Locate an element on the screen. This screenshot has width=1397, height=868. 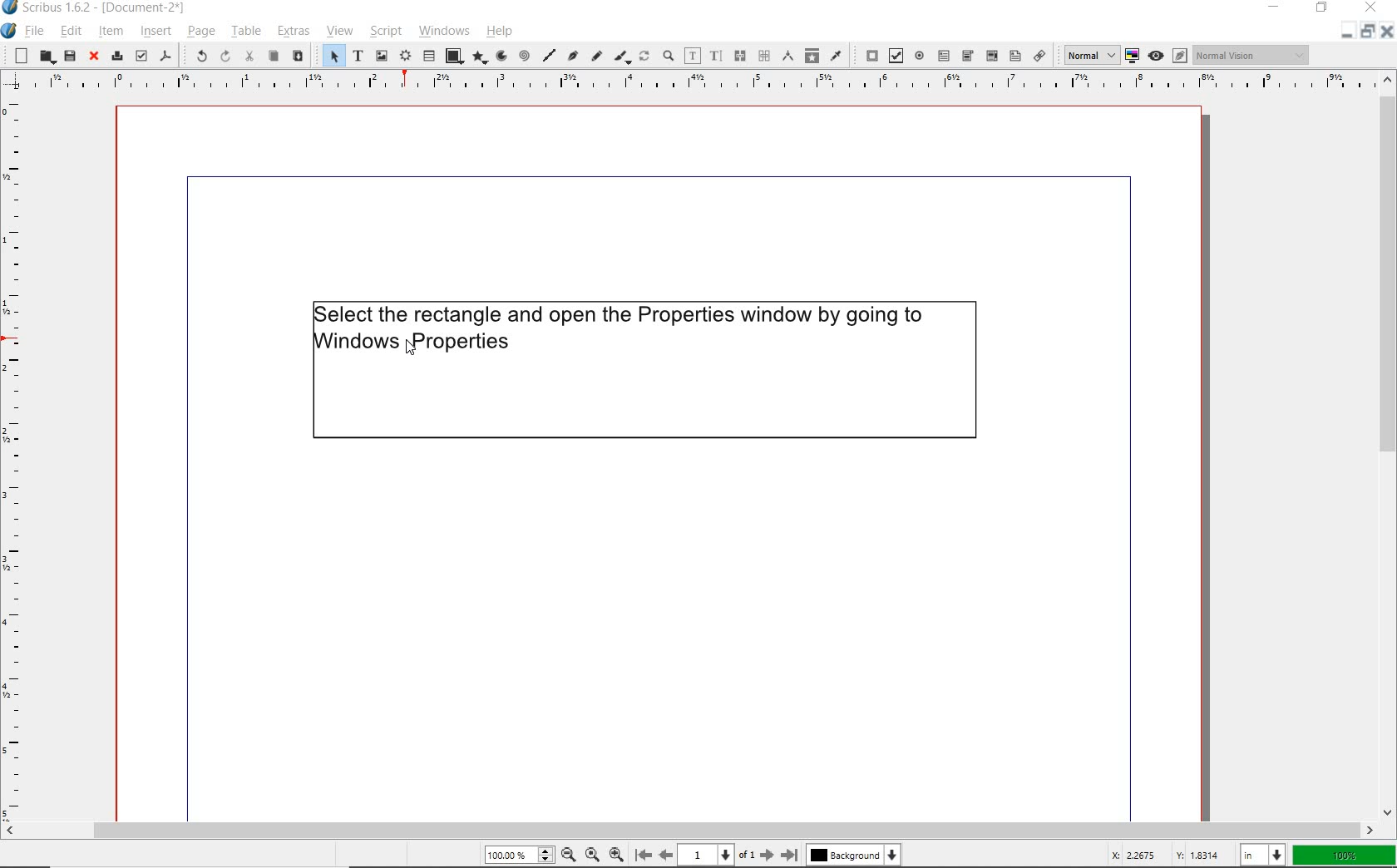
of 1 is located at coordinates (747, 854).